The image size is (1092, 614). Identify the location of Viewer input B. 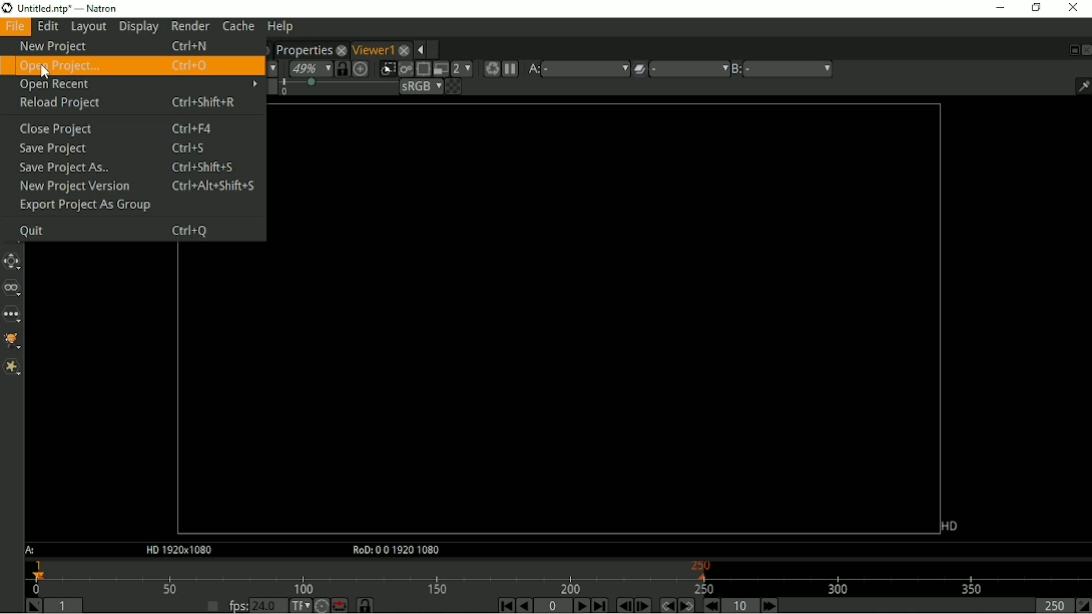
(737, 69).